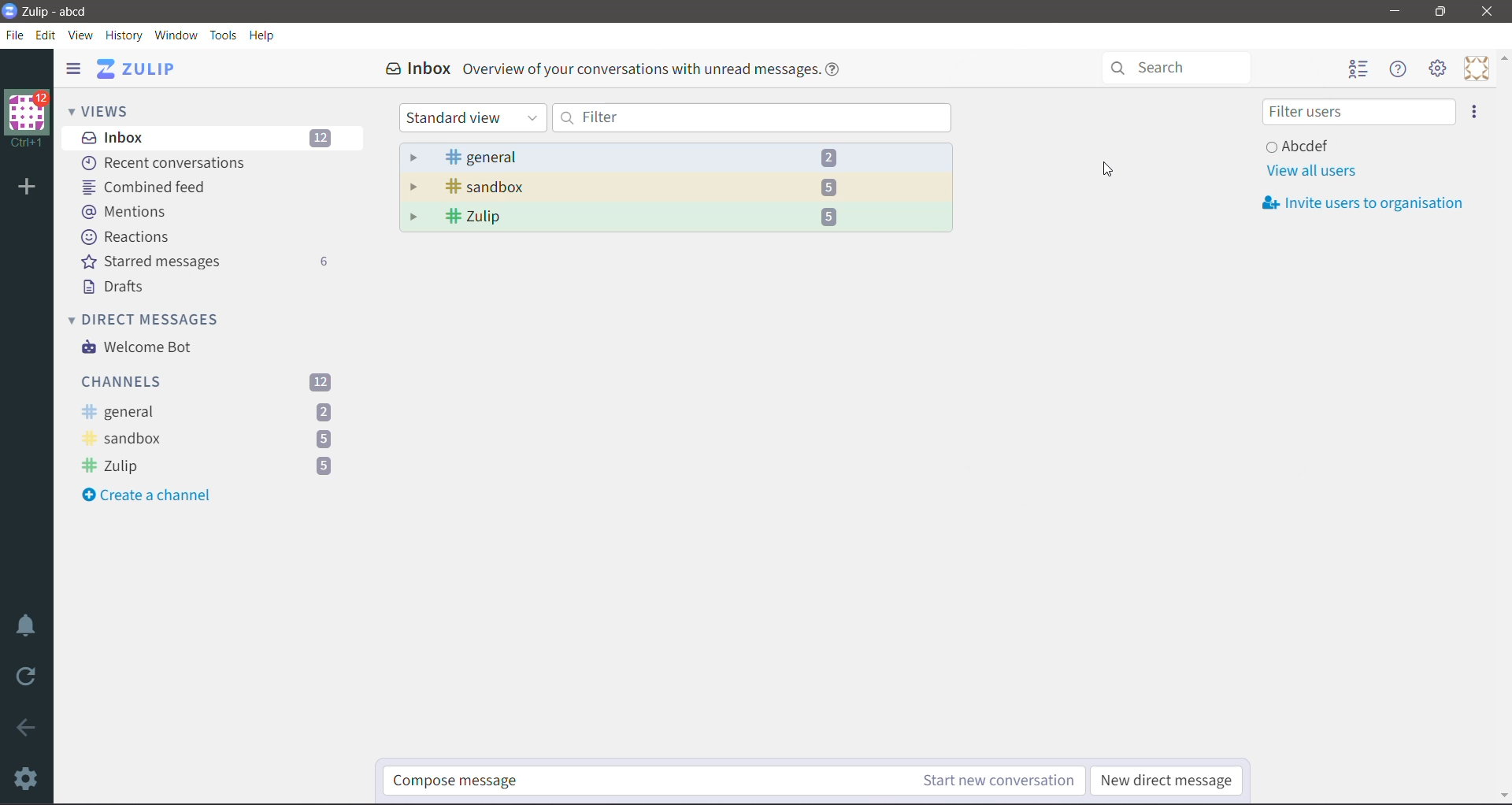 Image resolution: width=1512 pixels, height=805 pixels. What do you see at coordinates (209, 412) in the screenshot?
I see `general -unread messages count` at bounding box center [209, 412].